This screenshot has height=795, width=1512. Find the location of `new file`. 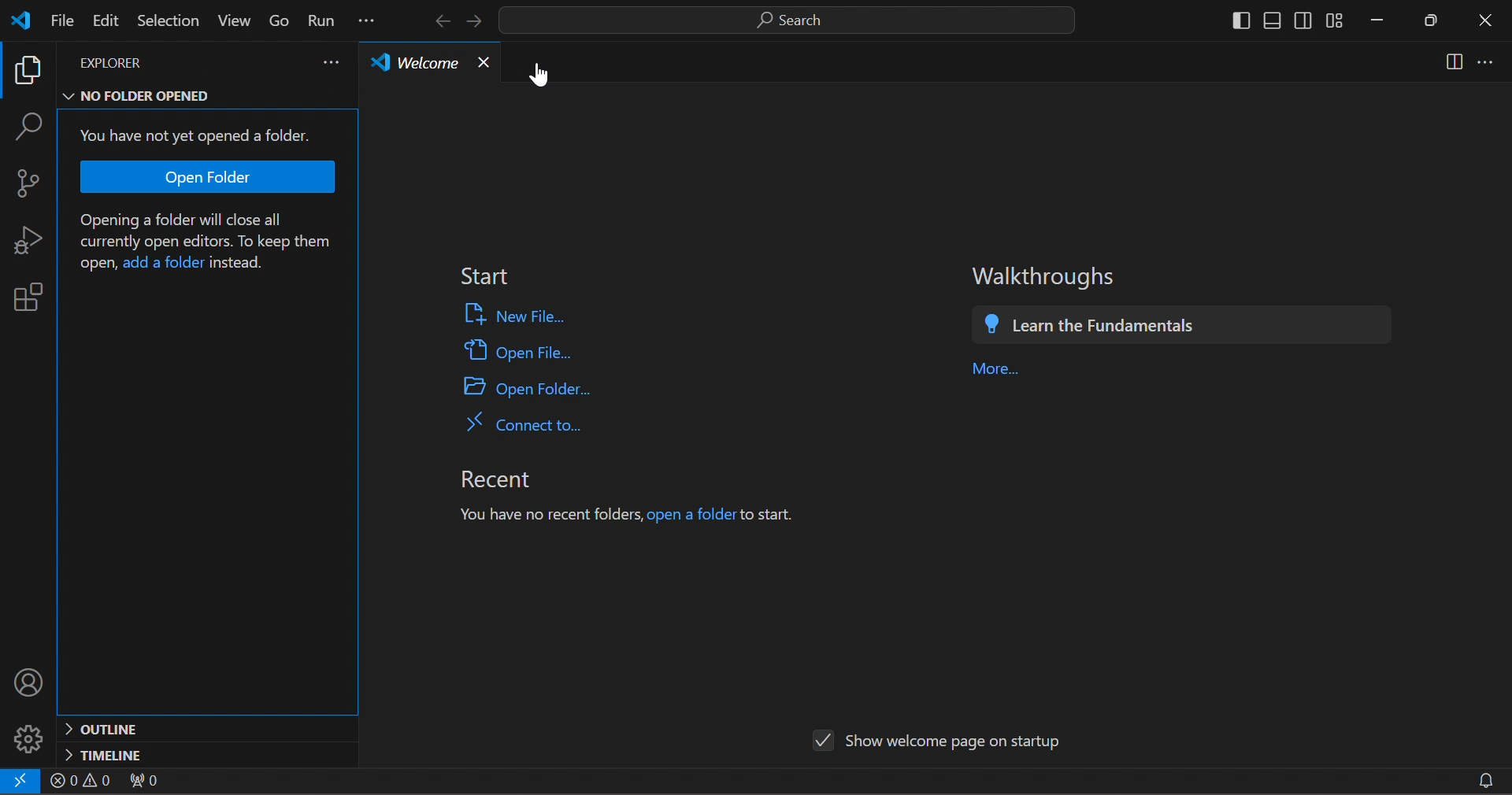

new file is located at coordinates (521, 316).